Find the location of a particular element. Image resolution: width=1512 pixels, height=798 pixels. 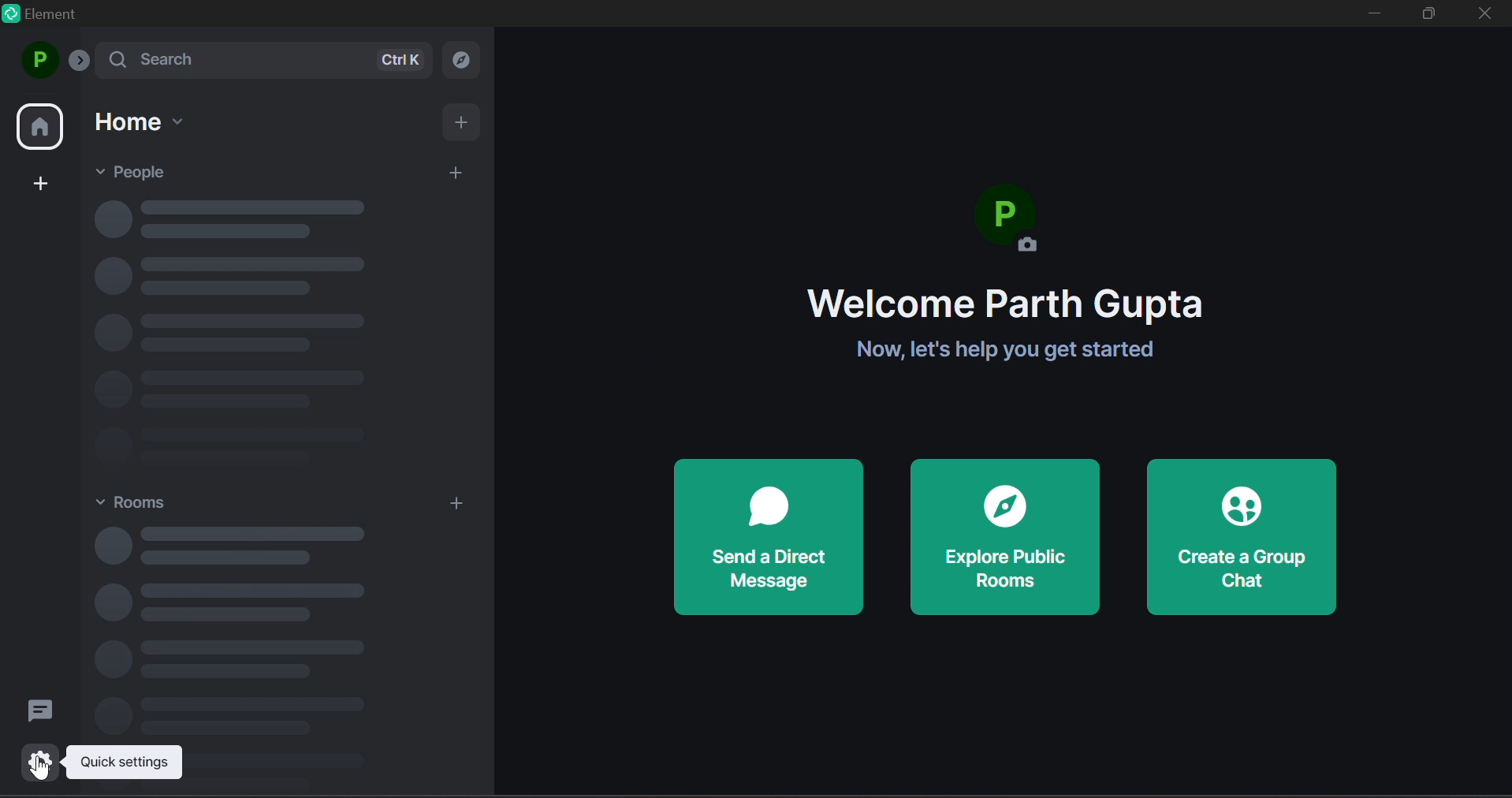

add is located at coordinates (464, 125).